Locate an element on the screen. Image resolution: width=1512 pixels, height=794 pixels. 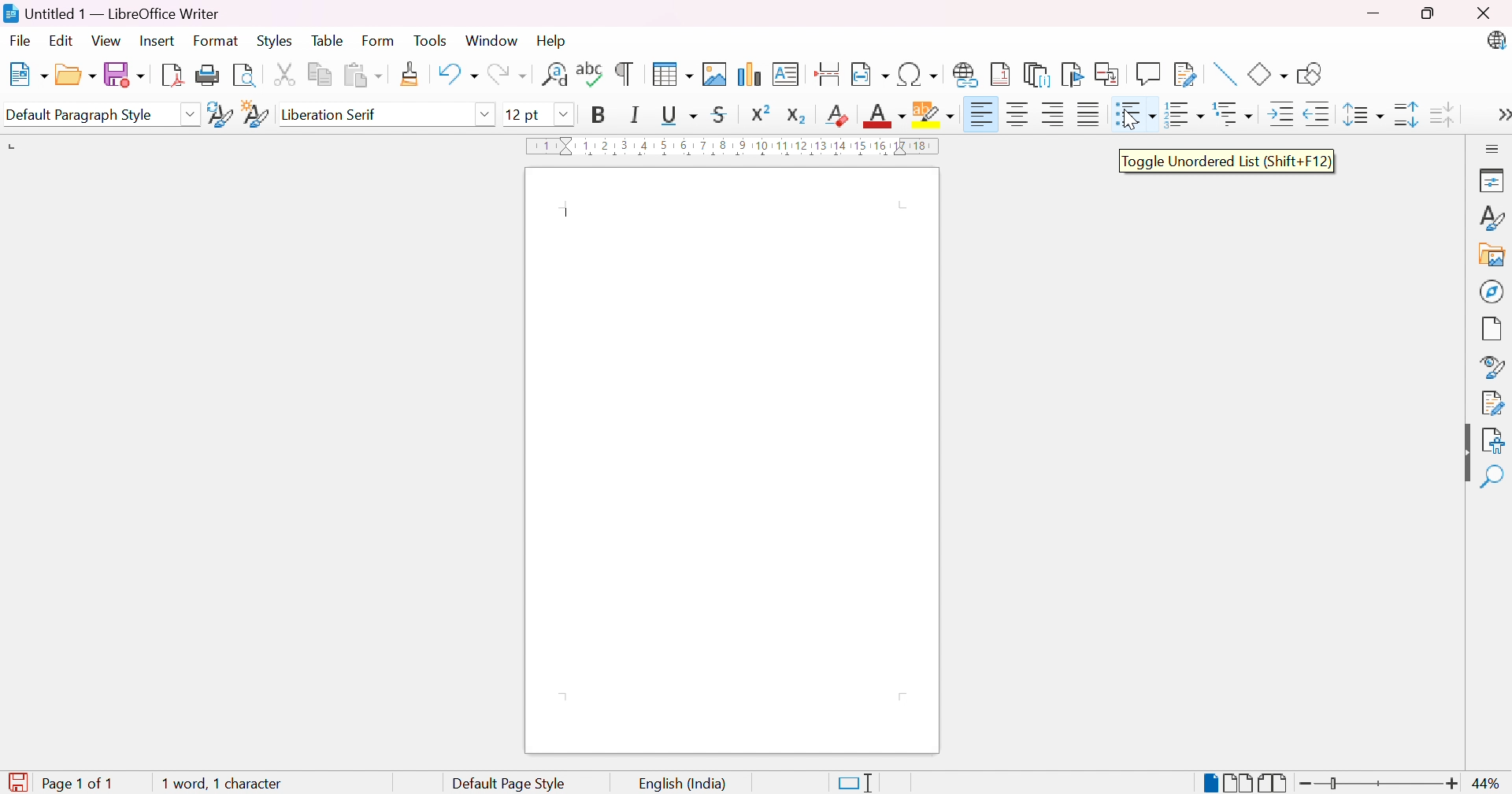
Drop down is located at coordinates (487, 113).